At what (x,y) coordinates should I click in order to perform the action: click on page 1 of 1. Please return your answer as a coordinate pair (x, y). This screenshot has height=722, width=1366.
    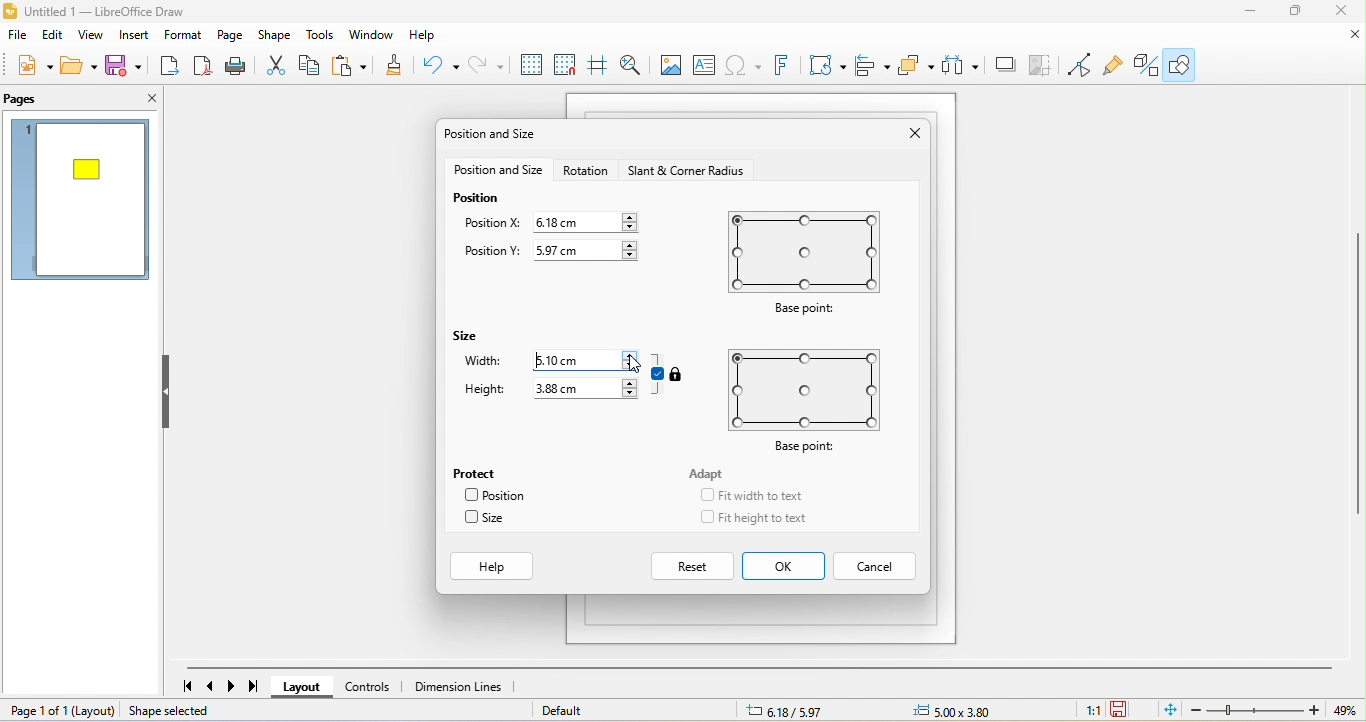
    Looking at the image, I should click on (61, 711).